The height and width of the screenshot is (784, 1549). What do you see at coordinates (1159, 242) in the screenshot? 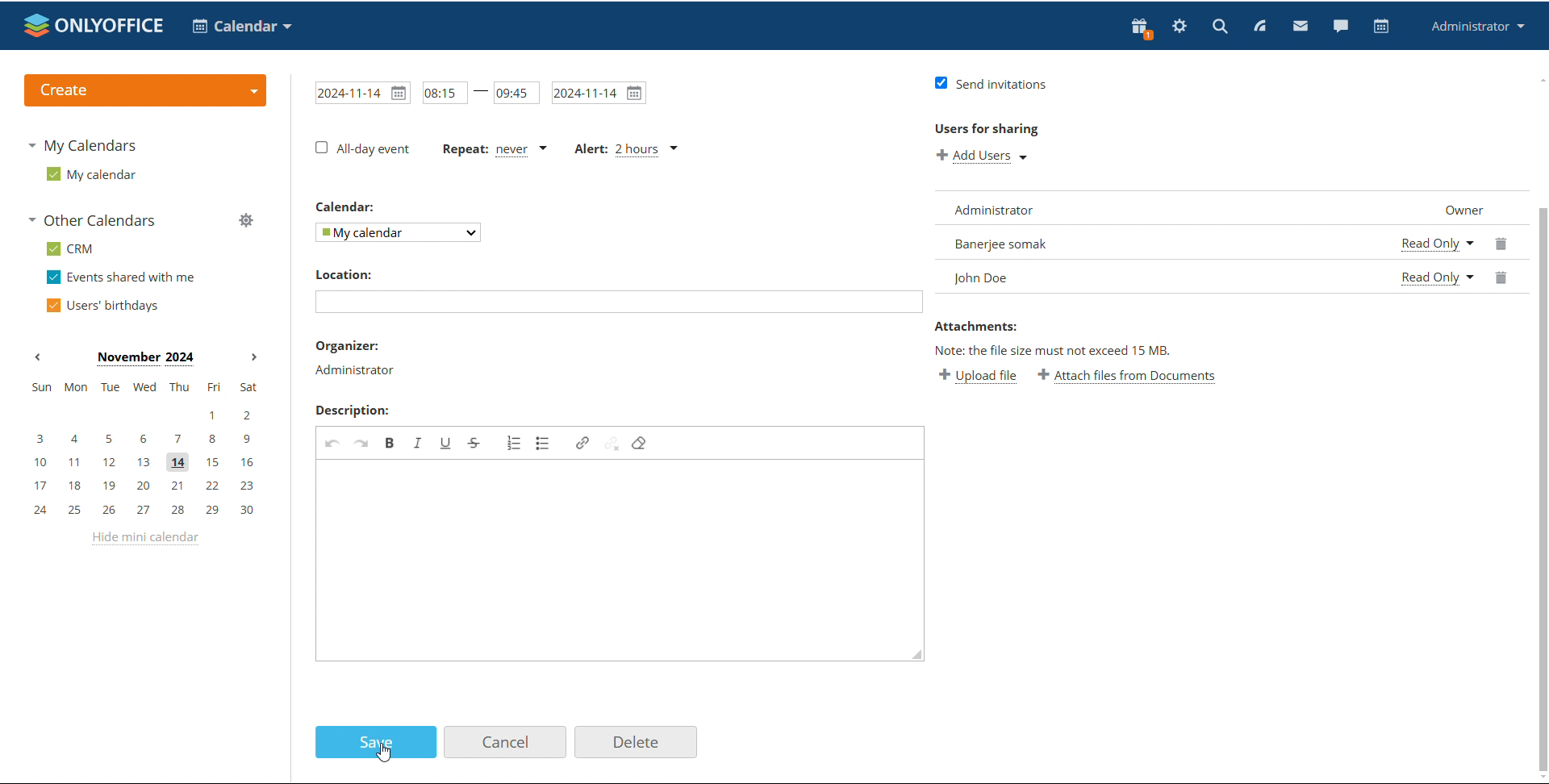
I see `list of users` at bounding box center [1159, 242].